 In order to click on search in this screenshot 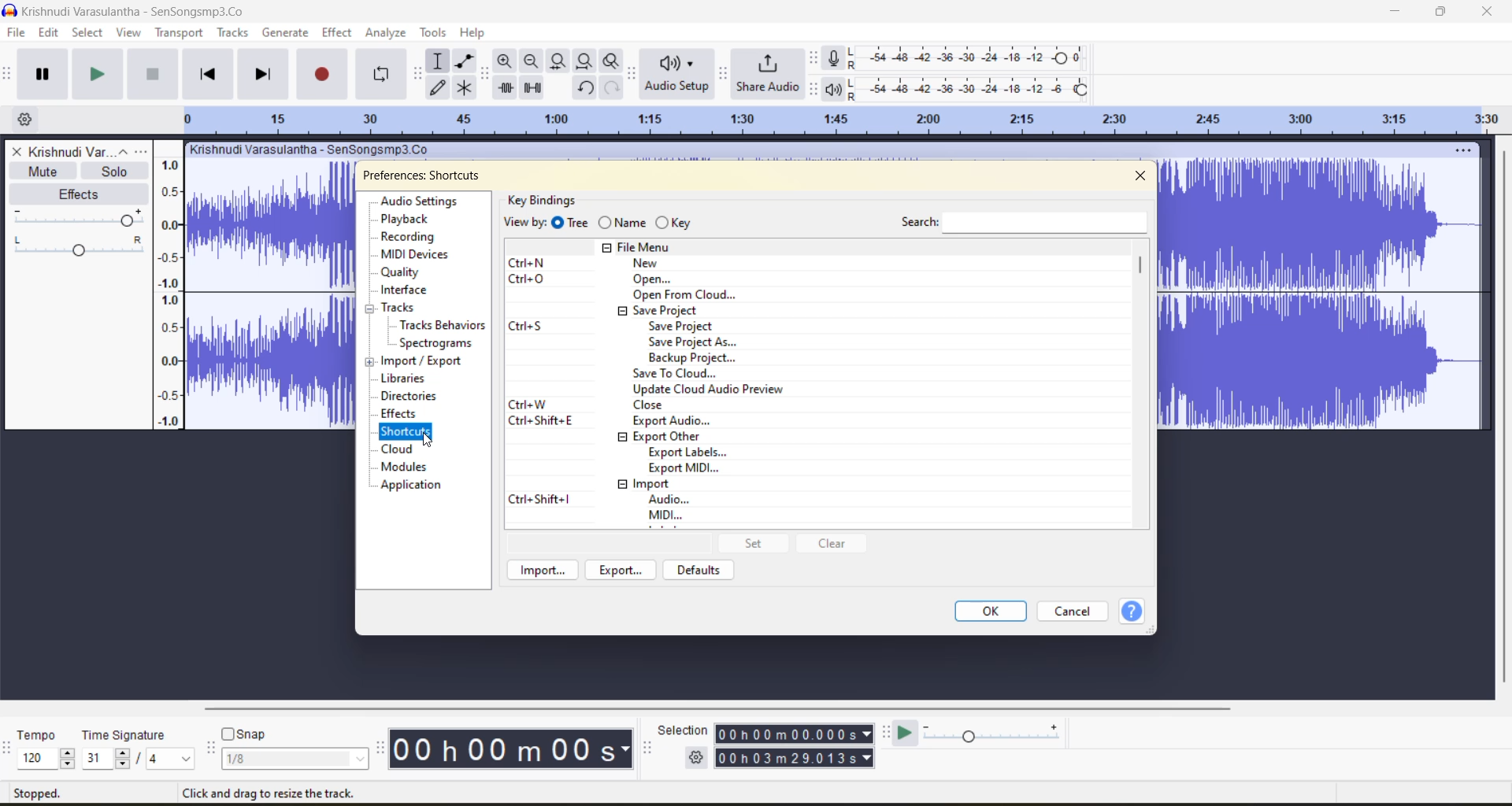, I will do `click(1031, 221)`.